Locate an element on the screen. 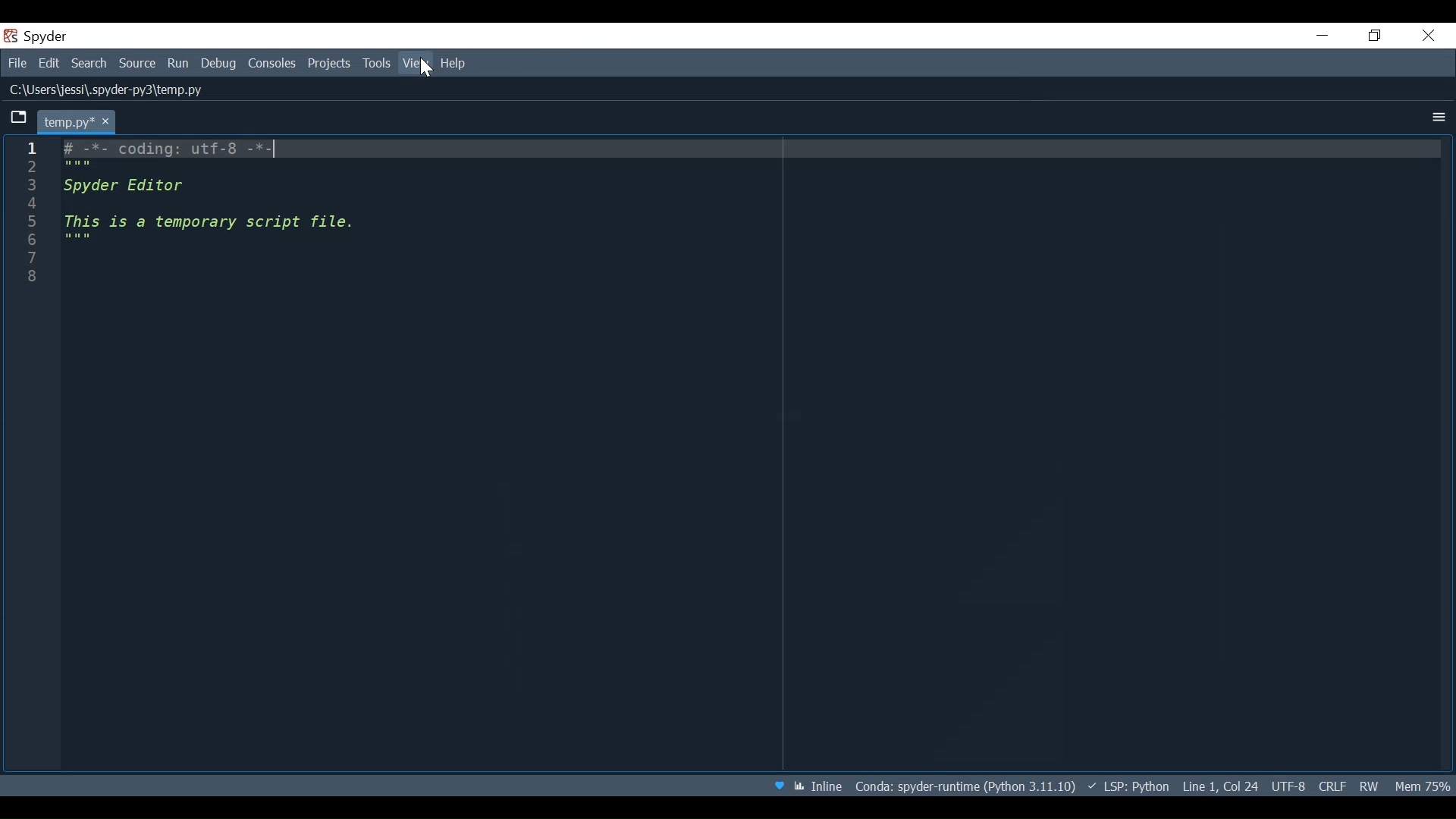  Spyder Desktop icon is located at coordinates (39, 36).